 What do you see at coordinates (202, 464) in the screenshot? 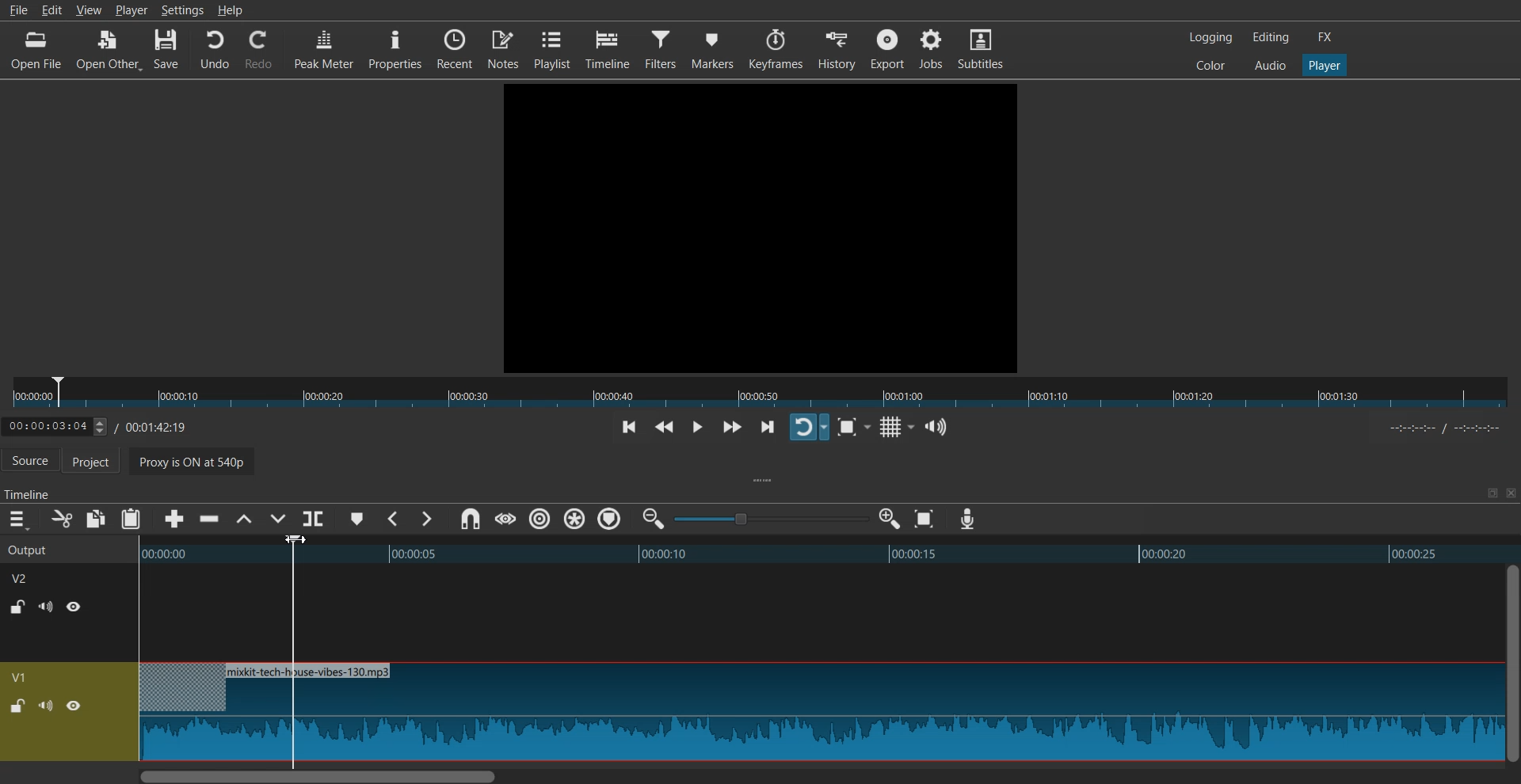
I see `Proxy is ON at 540p` at bounding box center [202, 464].